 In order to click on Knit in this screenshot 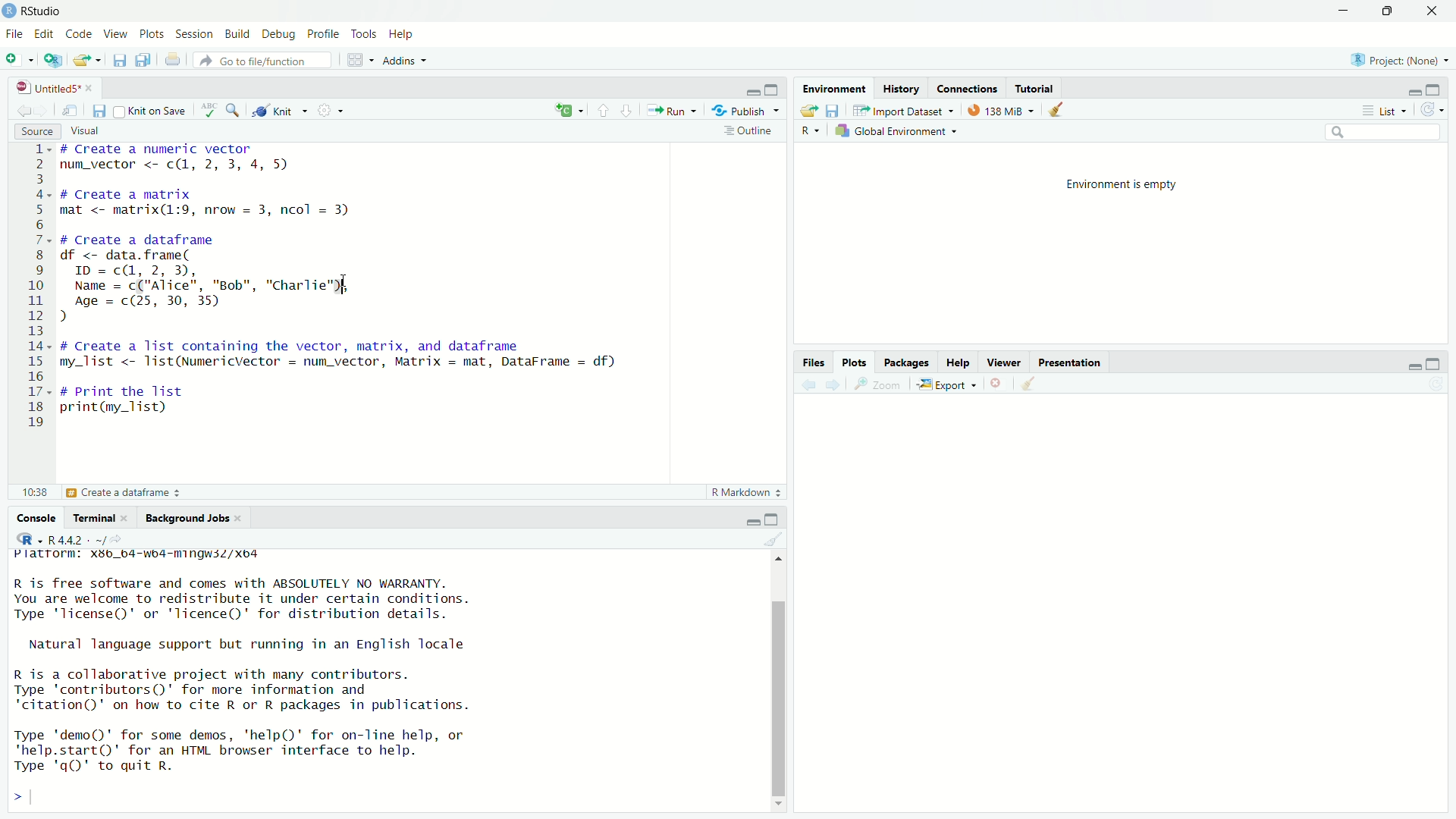, I will do `click(281, 111)`.